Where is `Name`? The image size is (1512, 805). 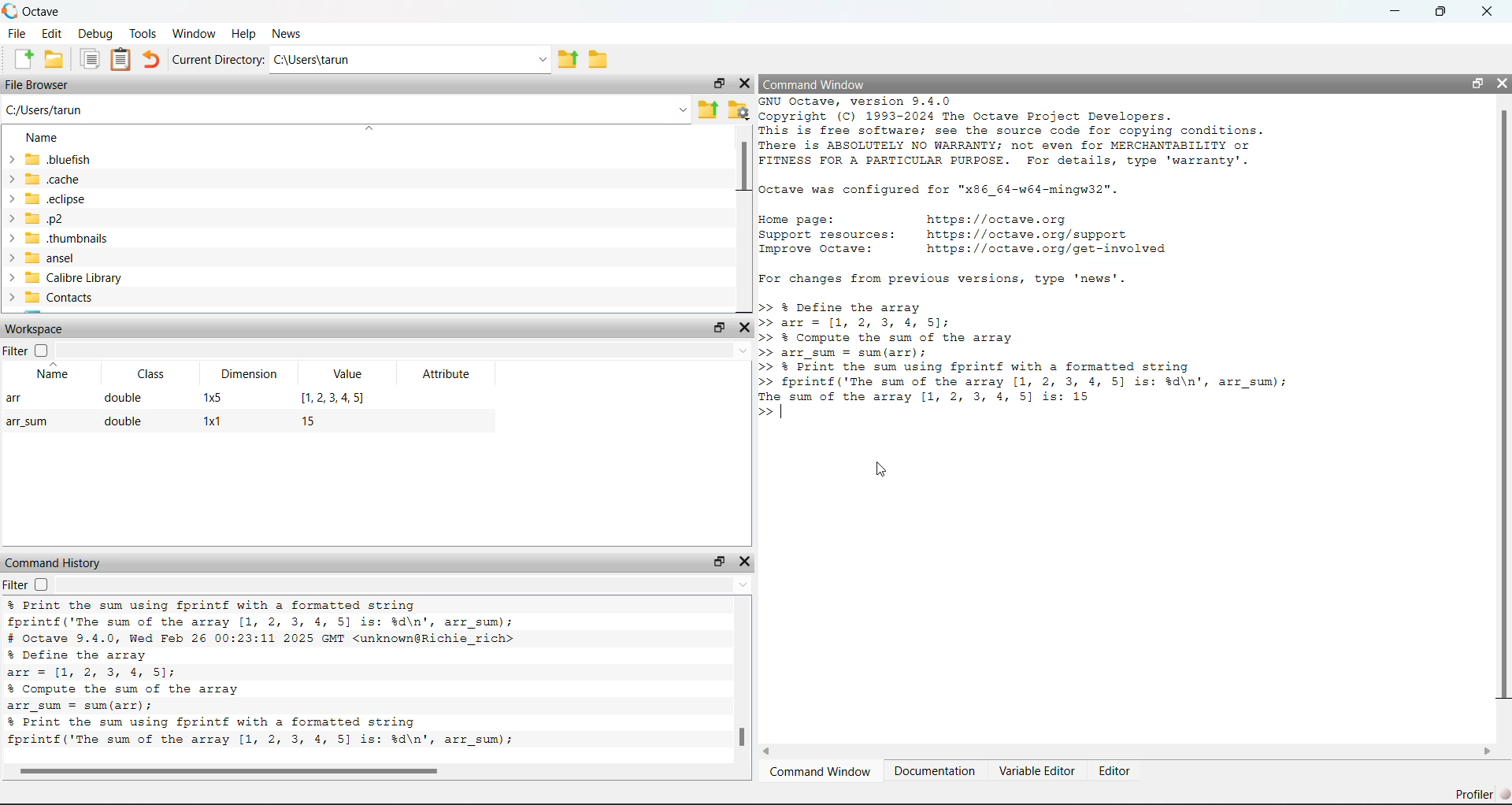
Name is located at coordinates (61, 374).